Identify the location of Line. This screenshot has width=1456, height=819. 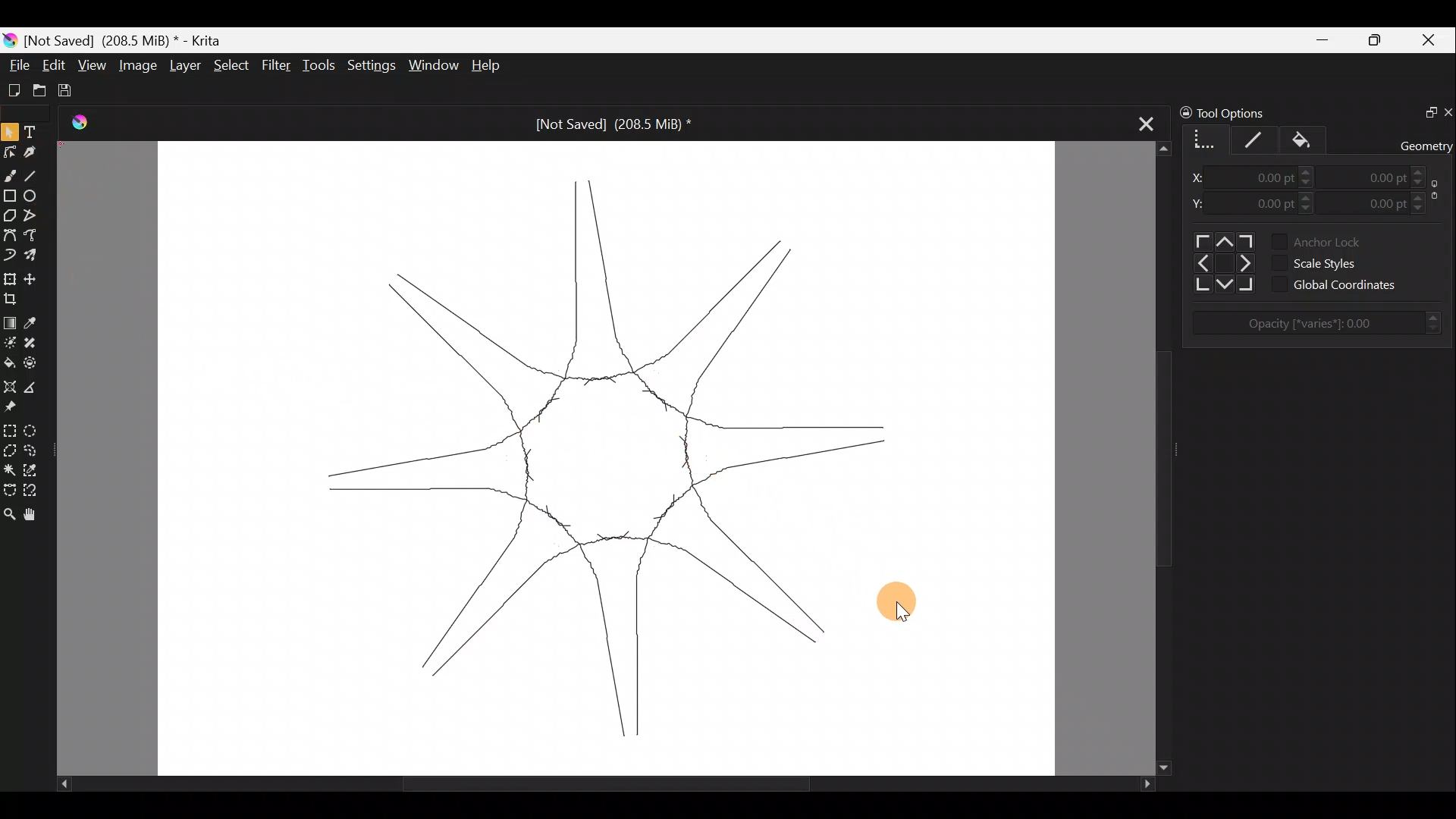
(33, 173).